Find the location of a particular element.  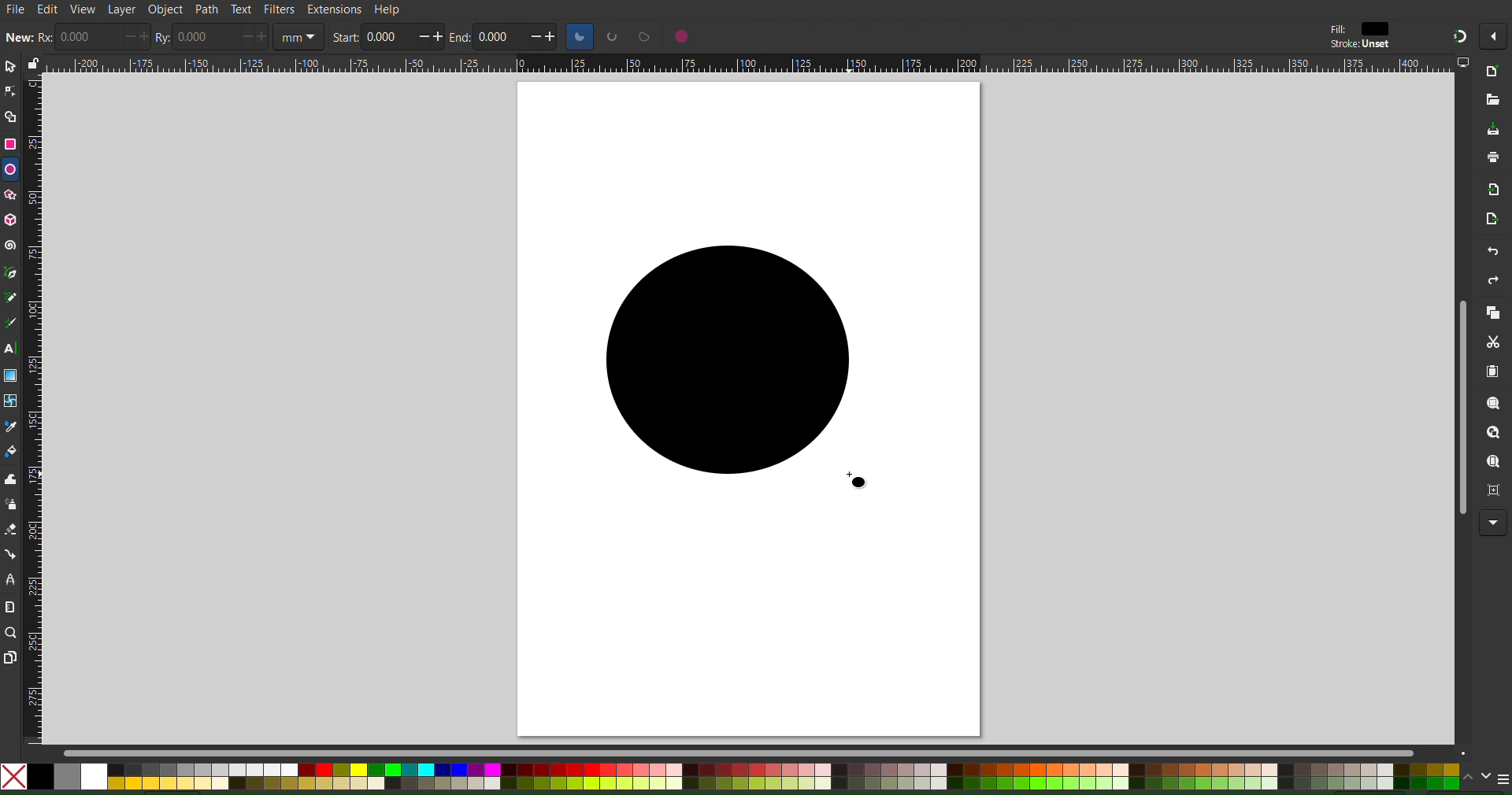

Zoom Selection is located at coordinates (1492, 404).